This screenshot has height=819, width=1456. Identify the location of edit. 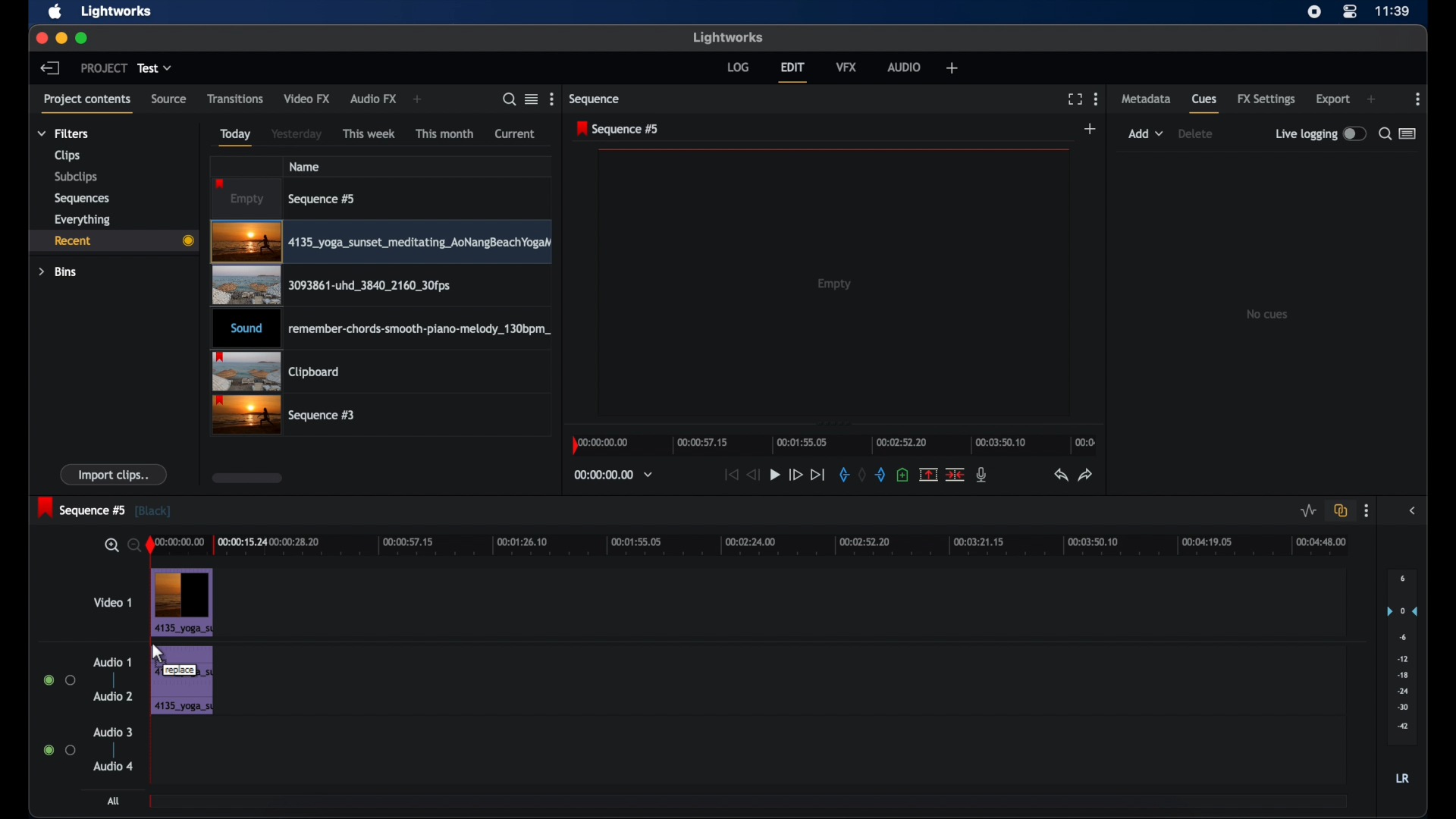
(792, 71).